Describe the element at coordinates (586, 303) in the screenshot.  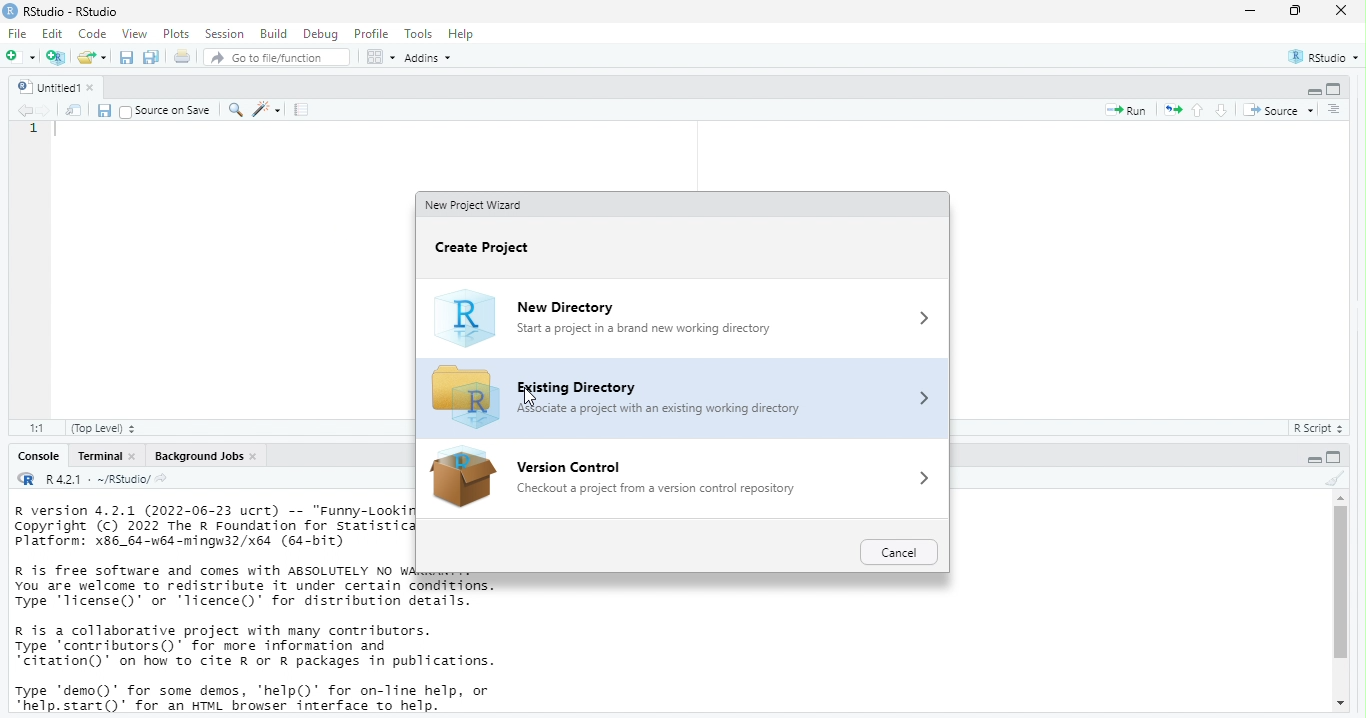
I see `New directory` at that location.